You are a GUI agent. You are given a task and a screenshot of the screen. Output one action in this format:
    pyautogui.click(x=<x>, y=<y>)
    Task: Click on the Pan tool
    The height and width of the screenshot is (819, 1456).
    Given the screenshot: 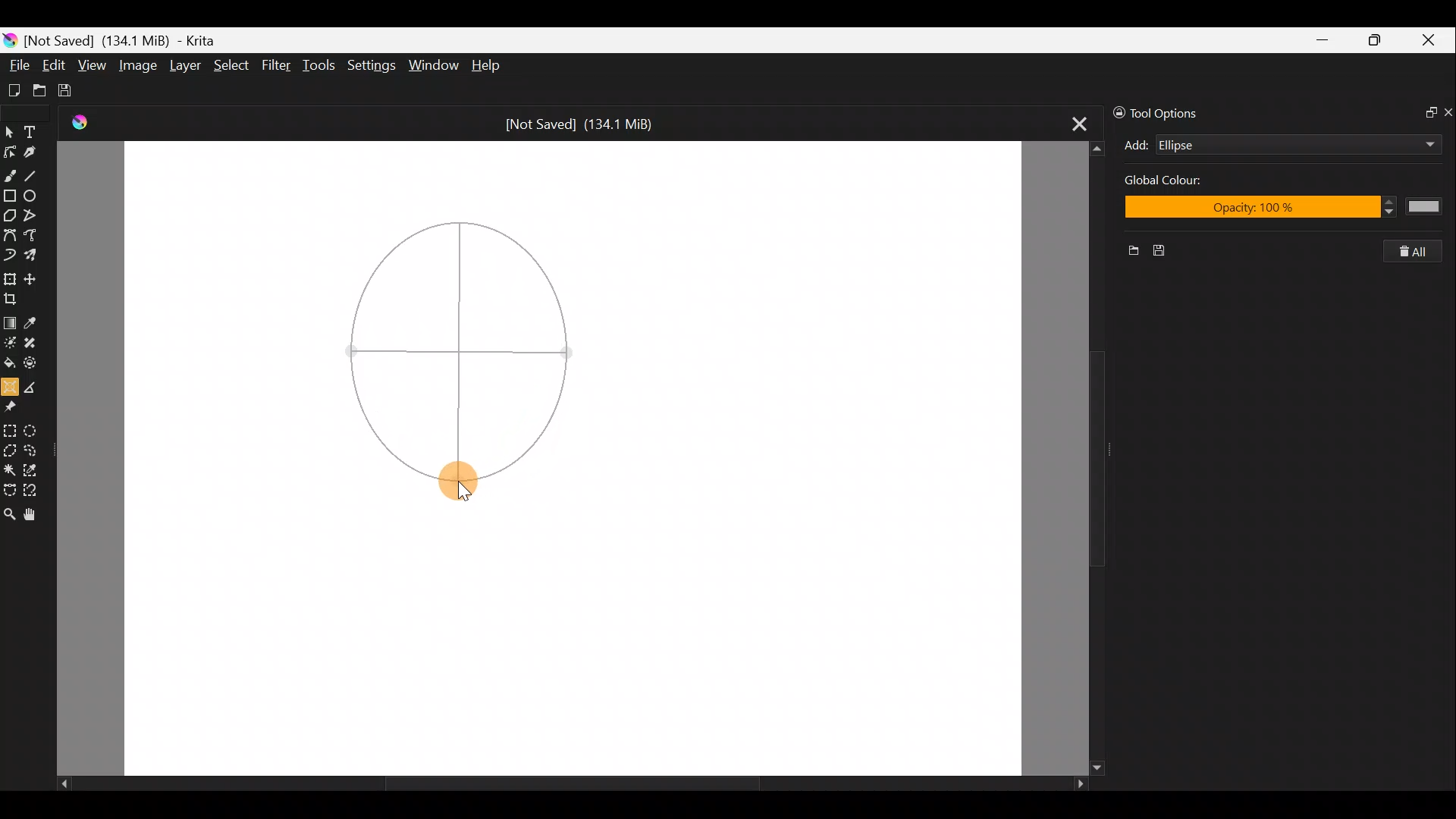 What is the action you would take?
    pyautogui.click(x=30, y=514)
    